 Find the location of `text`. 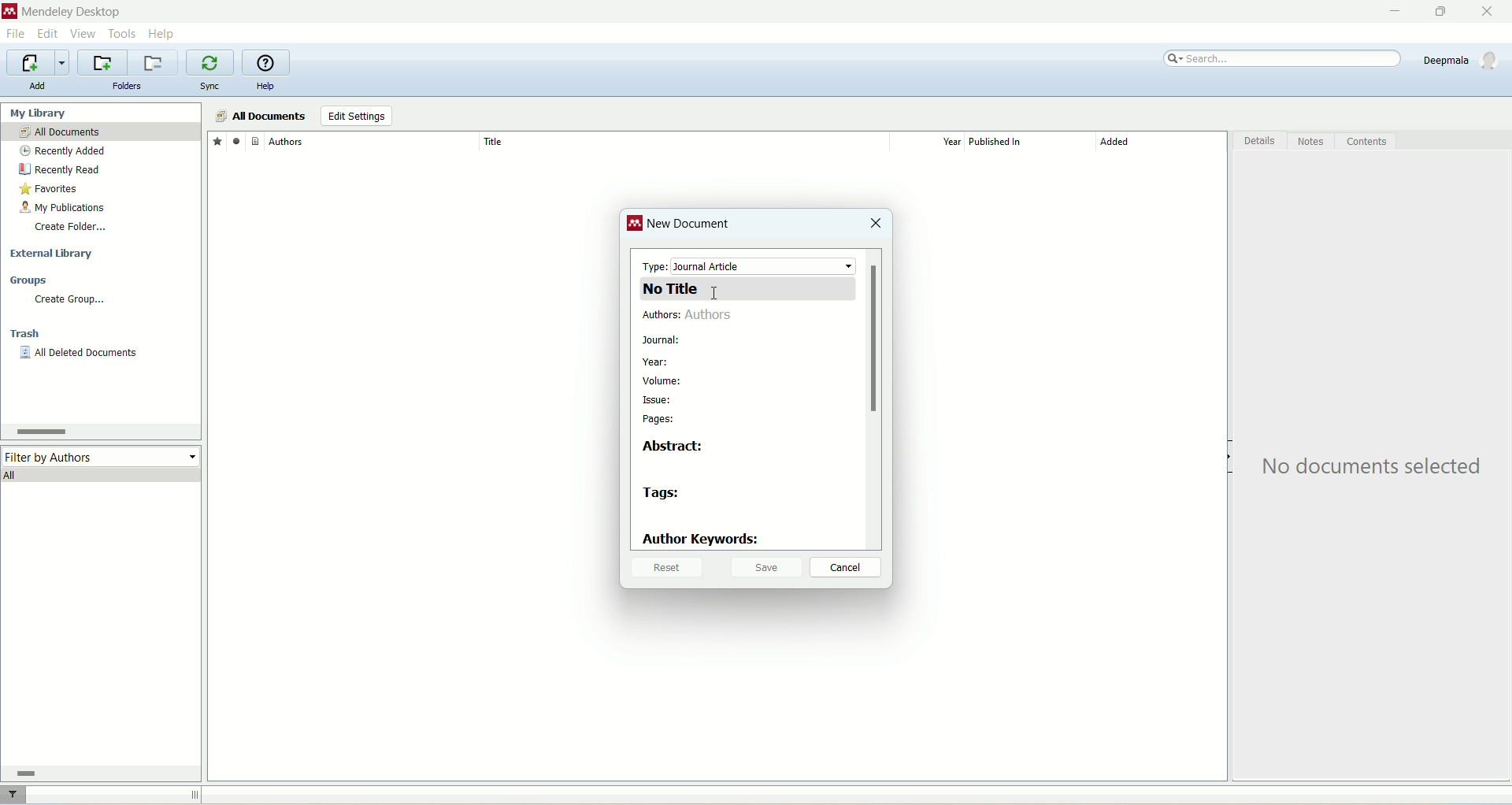

text is located at coordinates (1376, 467).